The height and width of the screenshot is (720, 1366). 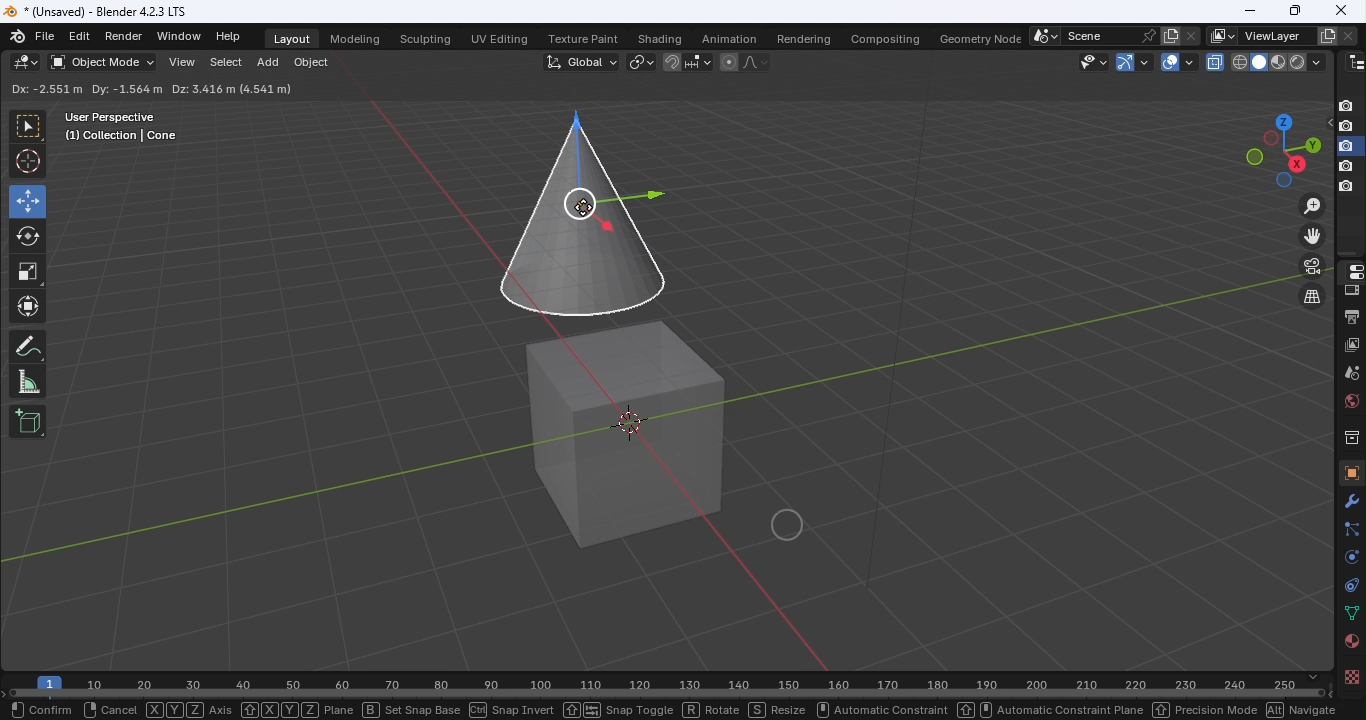 I want to click on Snapping, so click(x=699, y=61).